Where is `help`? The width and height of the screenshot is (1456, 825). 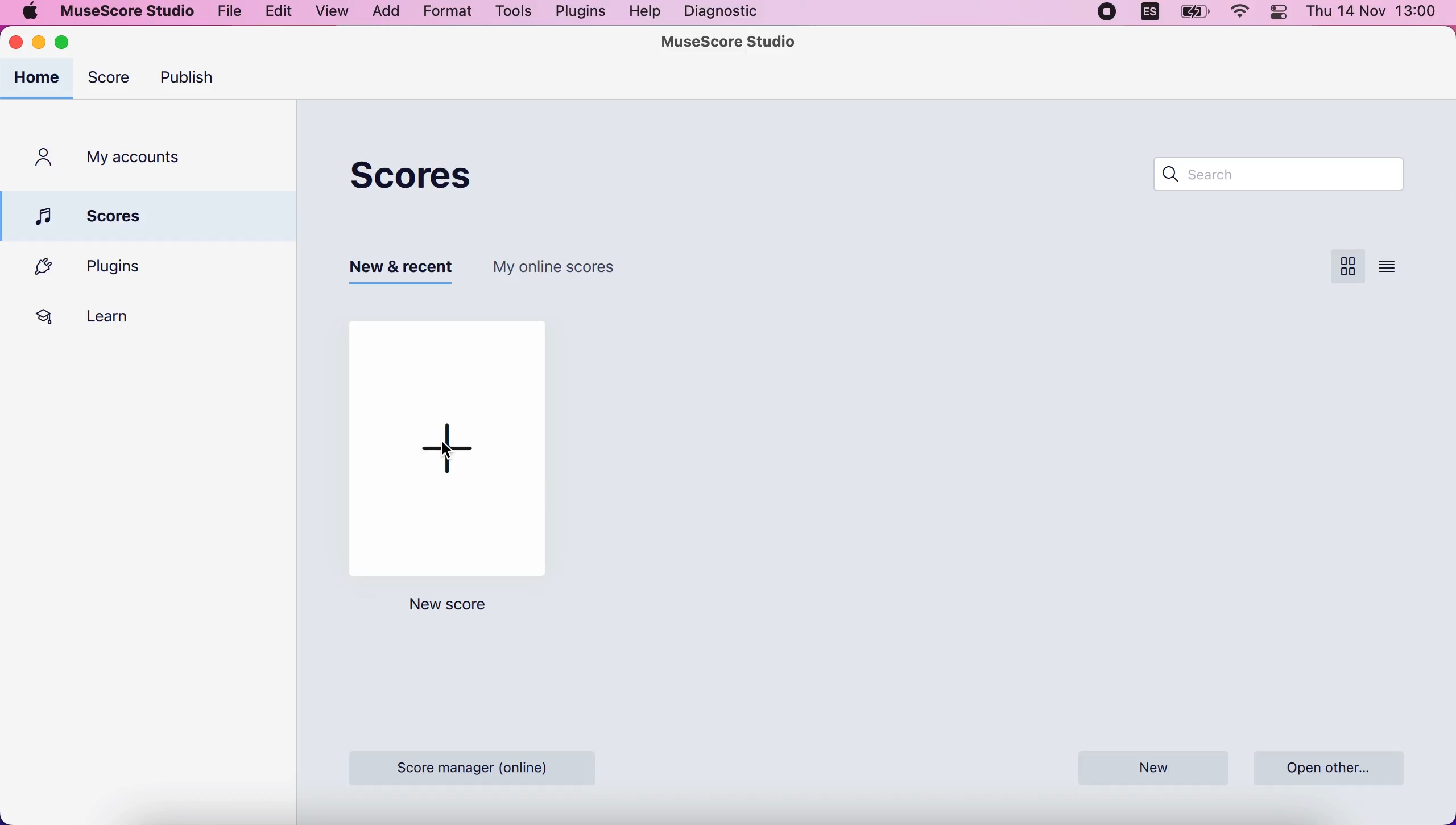
help is located at coordinates (646, 13).